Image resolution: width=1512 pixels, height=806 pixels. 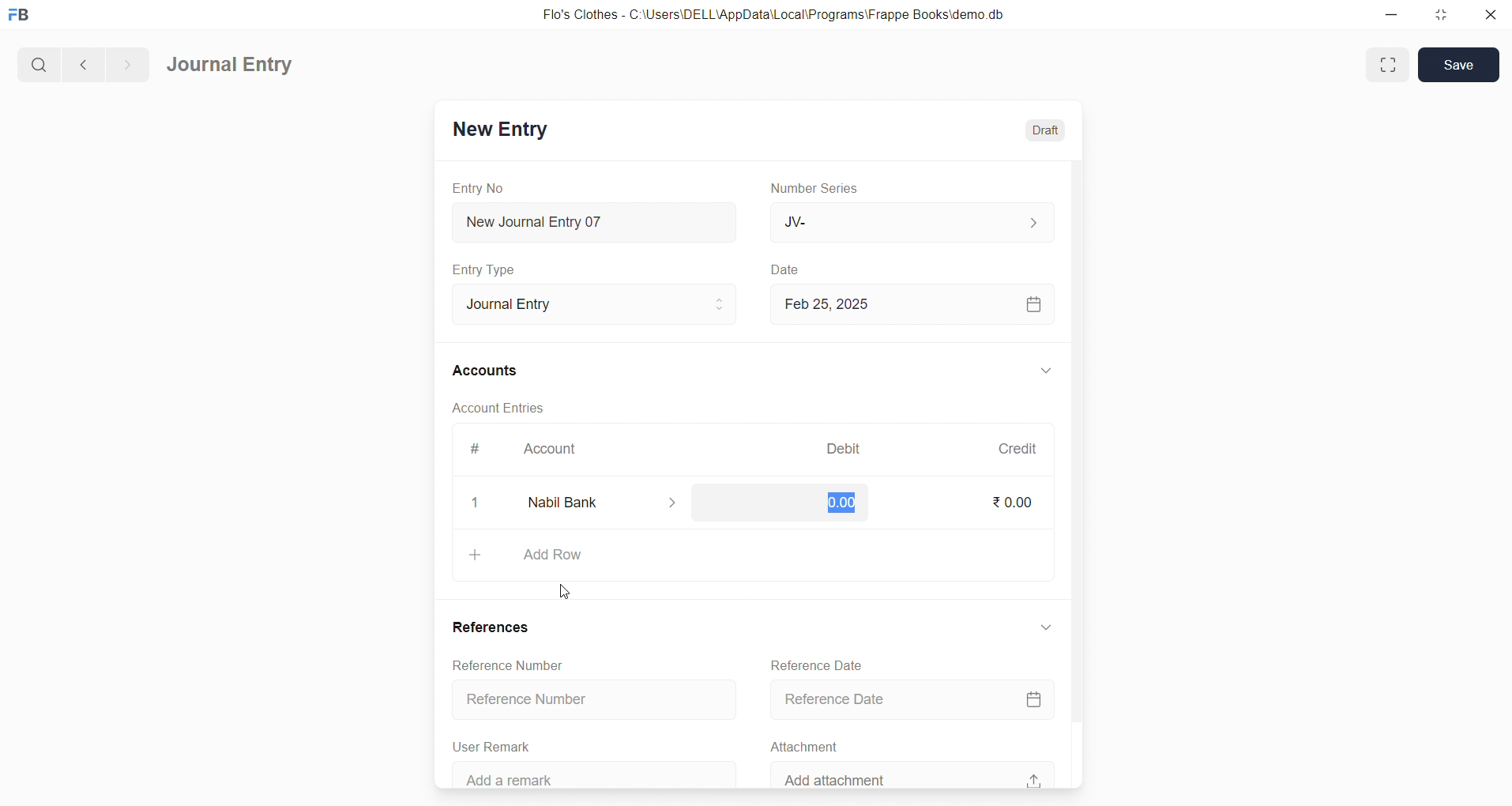 What do you see at coordinates (485, 269) in the screenshot?
I see `Entry Type` at bounding box center [485, 269].